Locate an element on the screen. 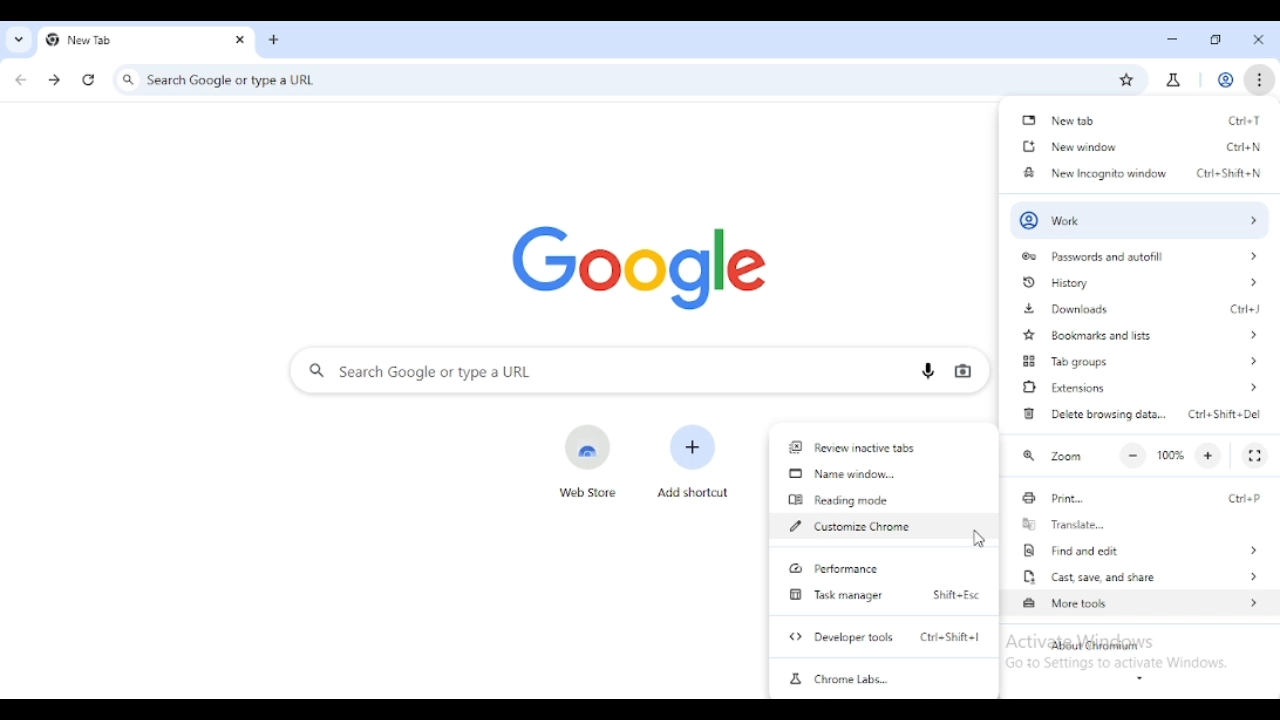  cursor is located at coordinates (978, 538).